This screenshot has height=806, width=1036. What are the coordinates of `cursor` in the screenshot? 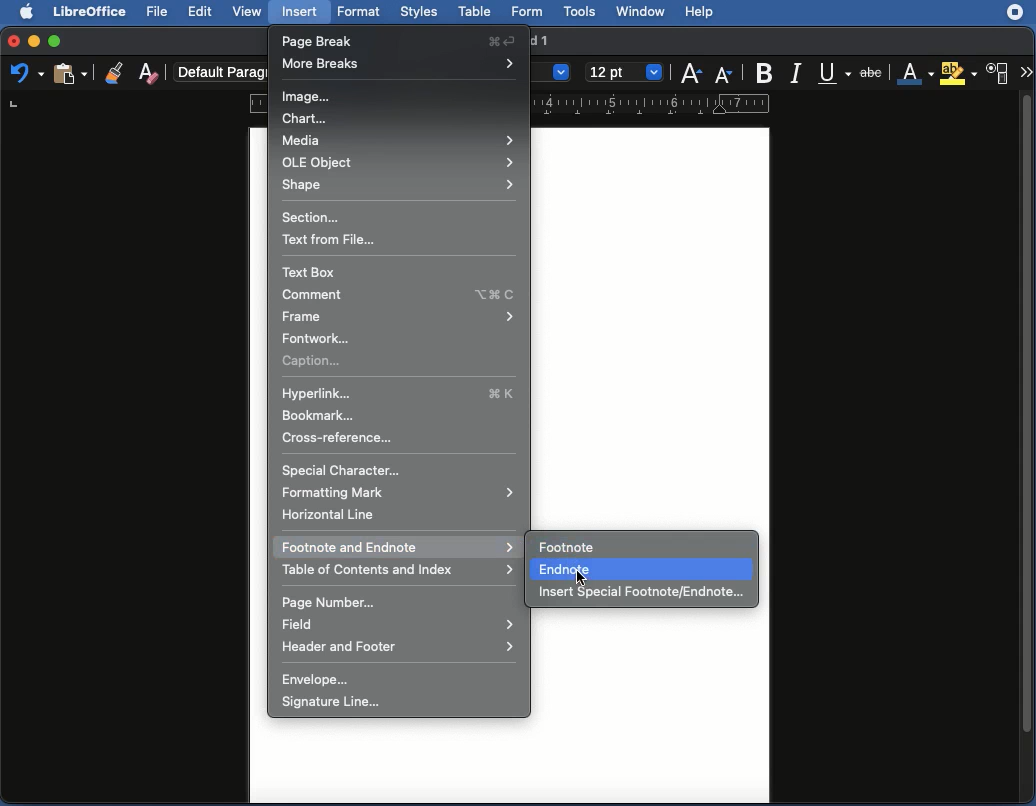 It's located at (577, 574).